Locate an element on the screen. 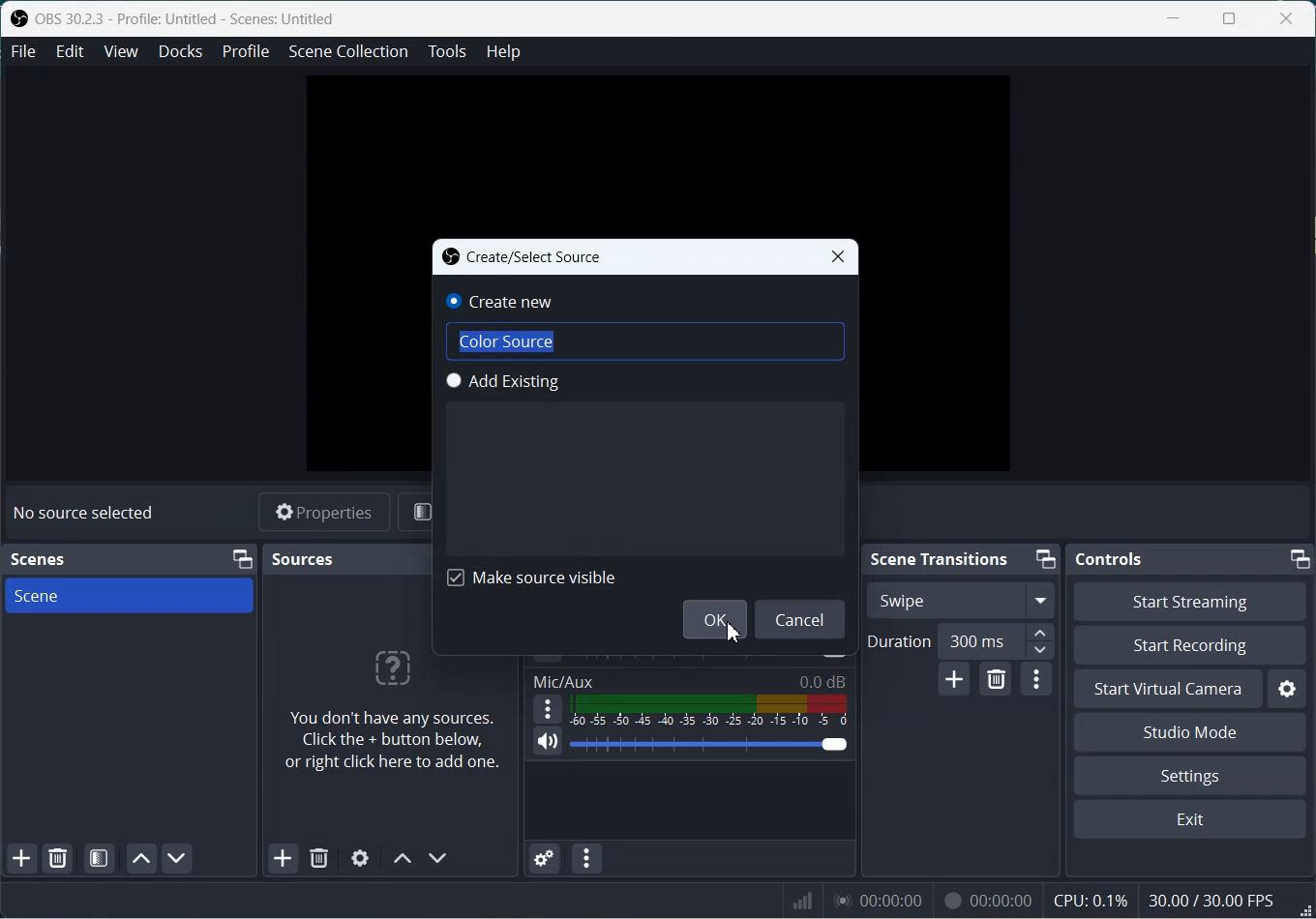 This screenshot has width=1316, height=919. Duration is located at coordinates (896, 641).